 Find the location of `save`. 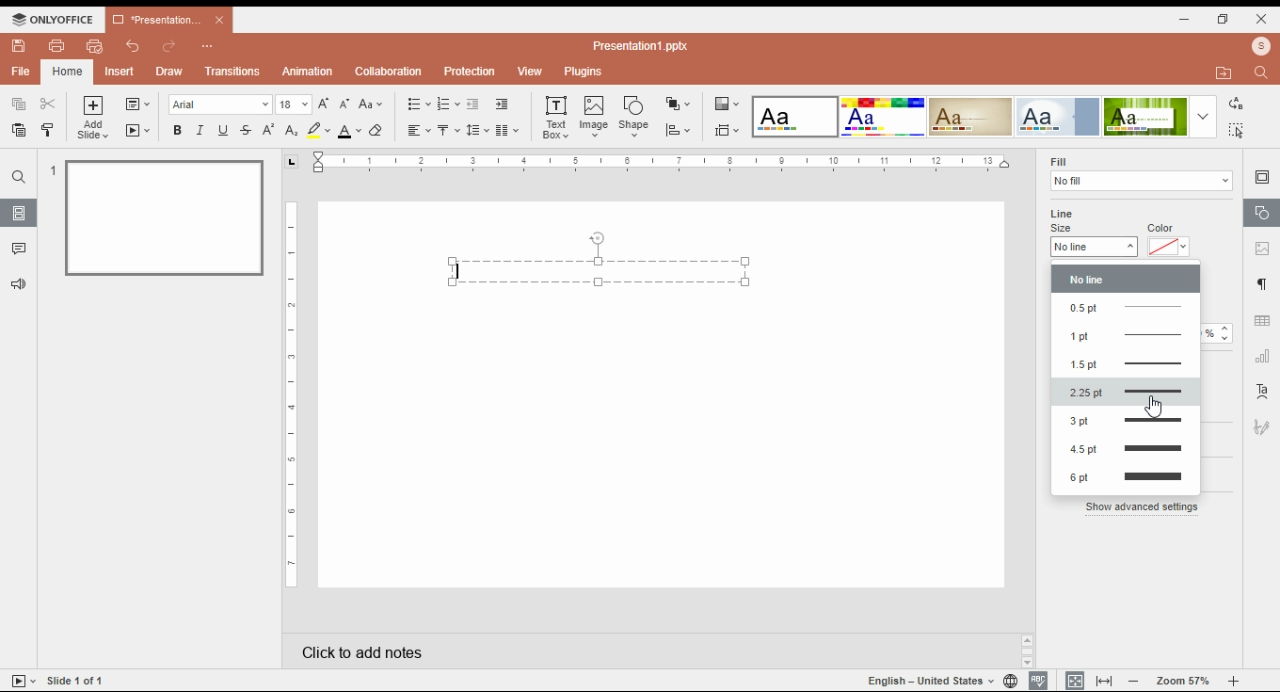

save is located at coordinates (20, 46).